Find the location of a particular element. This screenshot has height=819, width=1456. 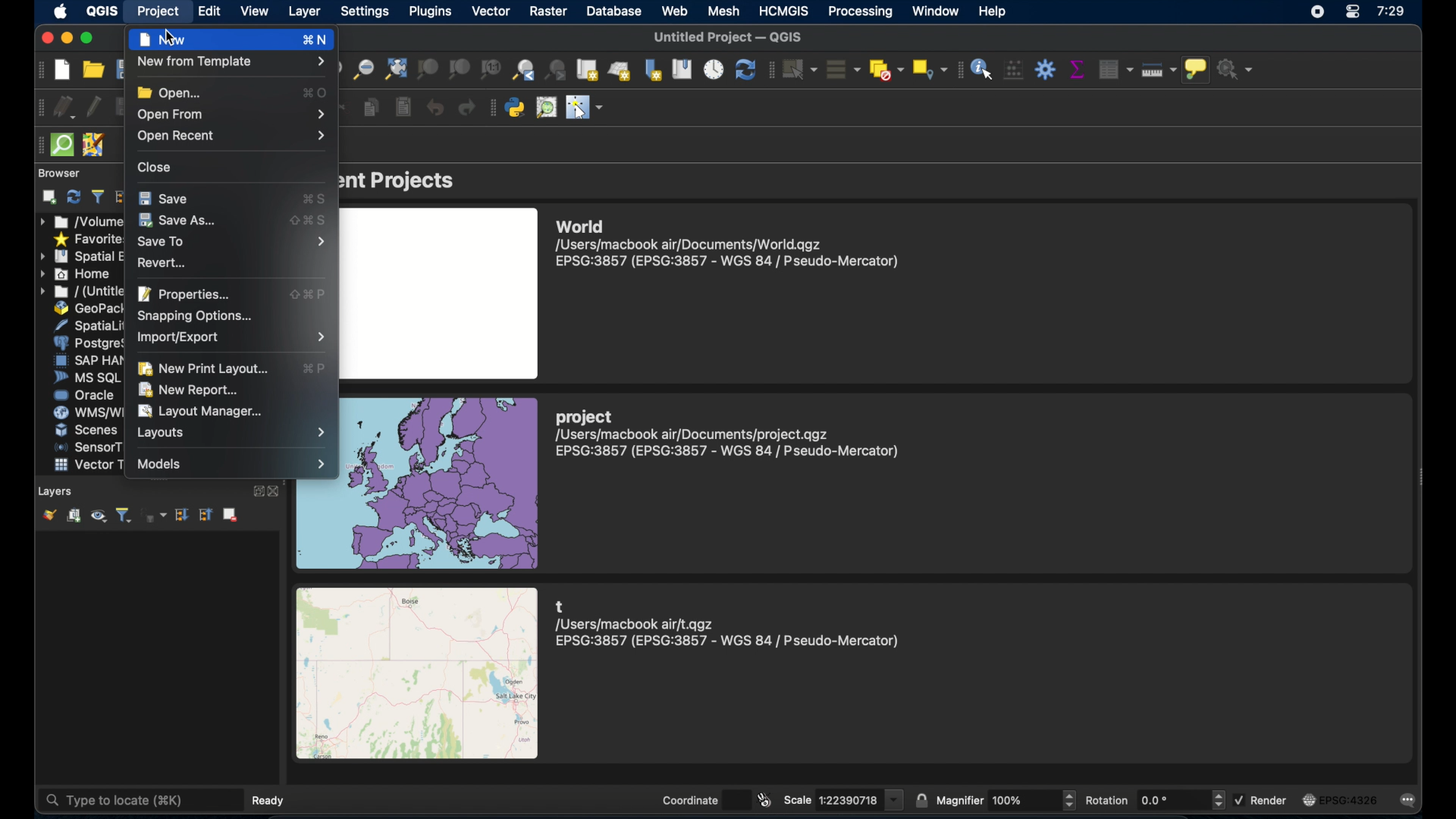

EPSG:3857 (EPSG:3857 - WGS 84 | Pseudo-Mercator) is located at coordinates (730, 642).